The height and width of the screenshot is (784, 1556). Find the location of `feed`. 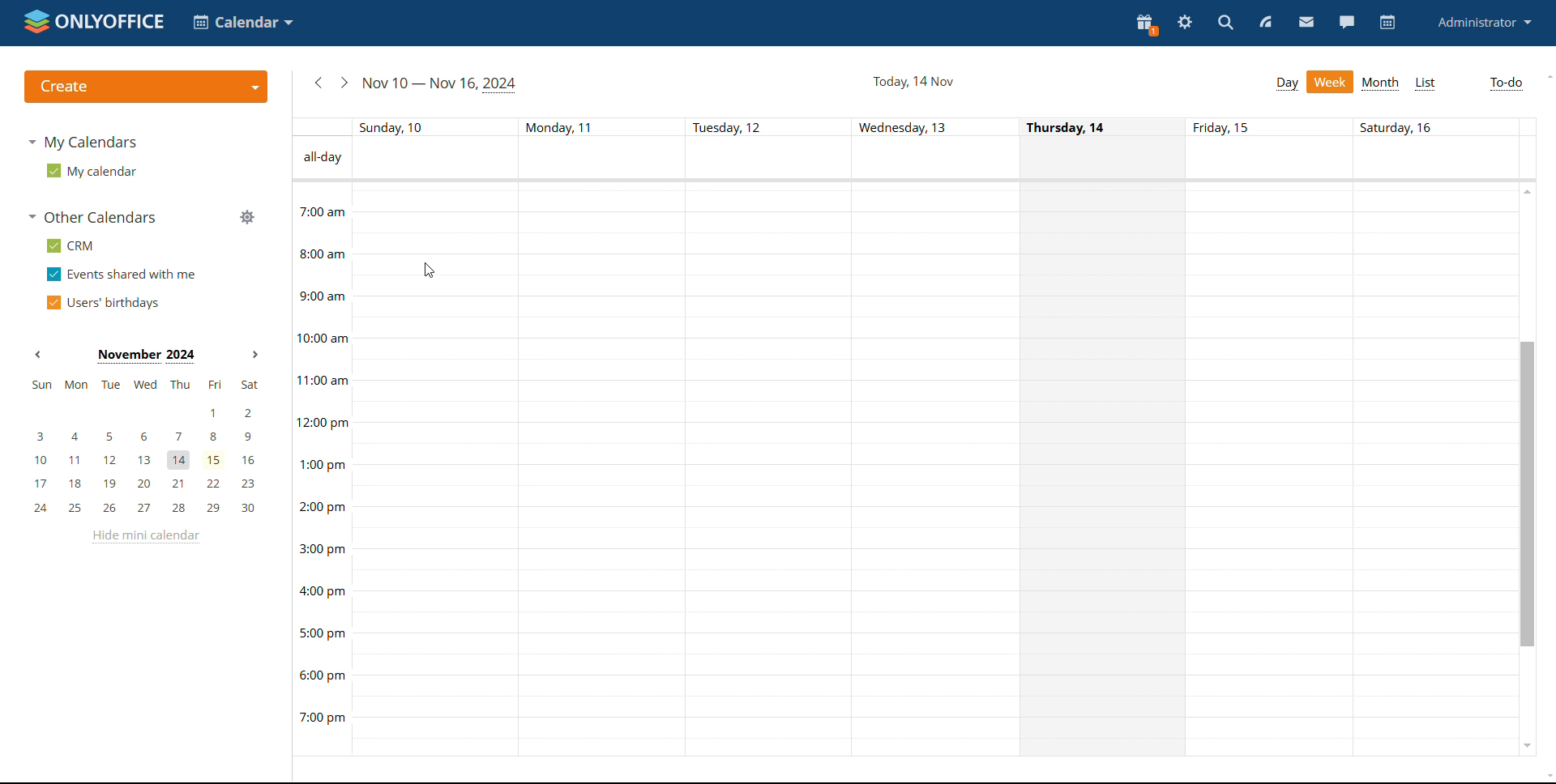

feed is located at coordinates (1266, 22).